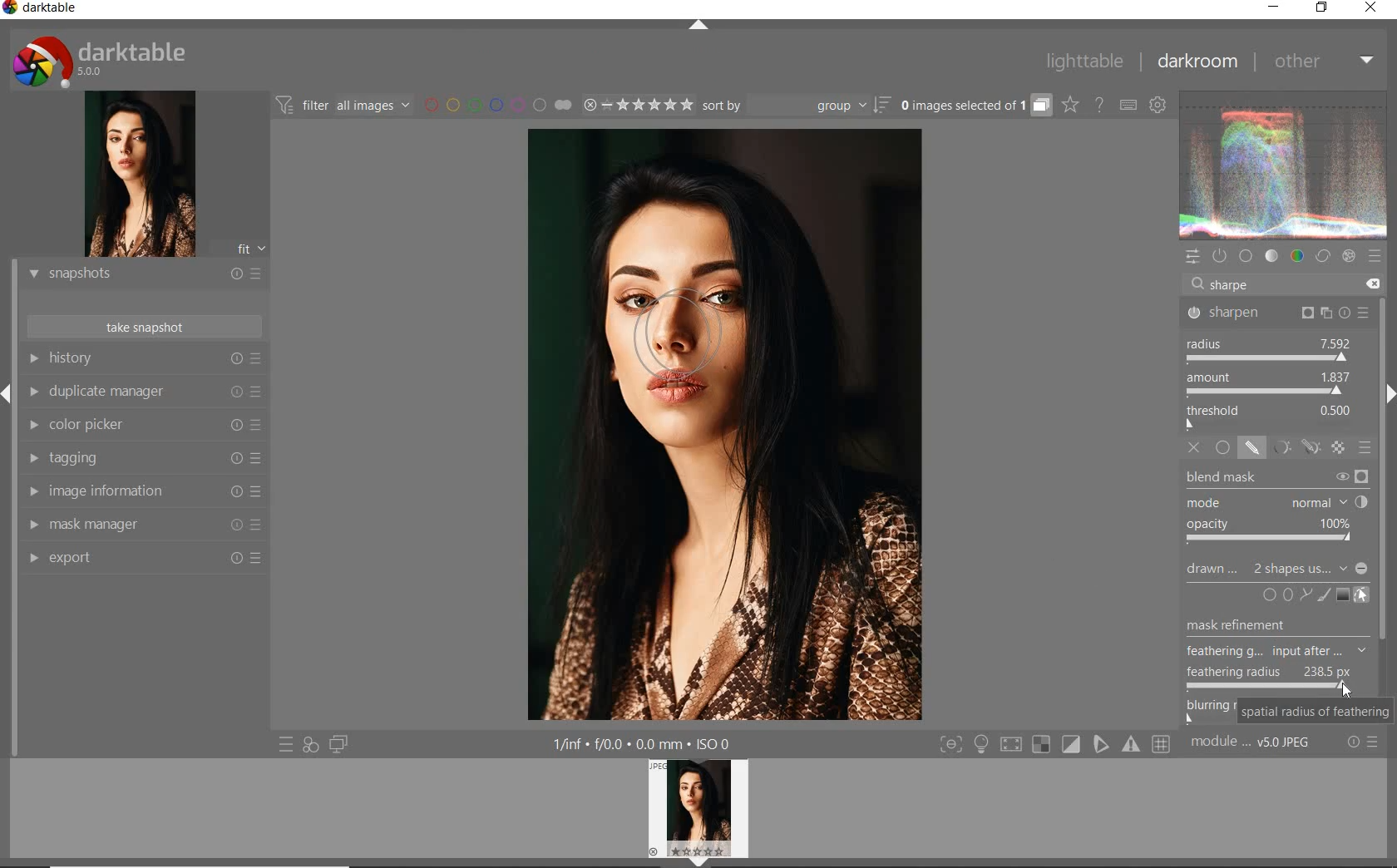 The width and height of the screenshot is (1397, 868). I want to click on SHARPEN, so click(1279, 312).